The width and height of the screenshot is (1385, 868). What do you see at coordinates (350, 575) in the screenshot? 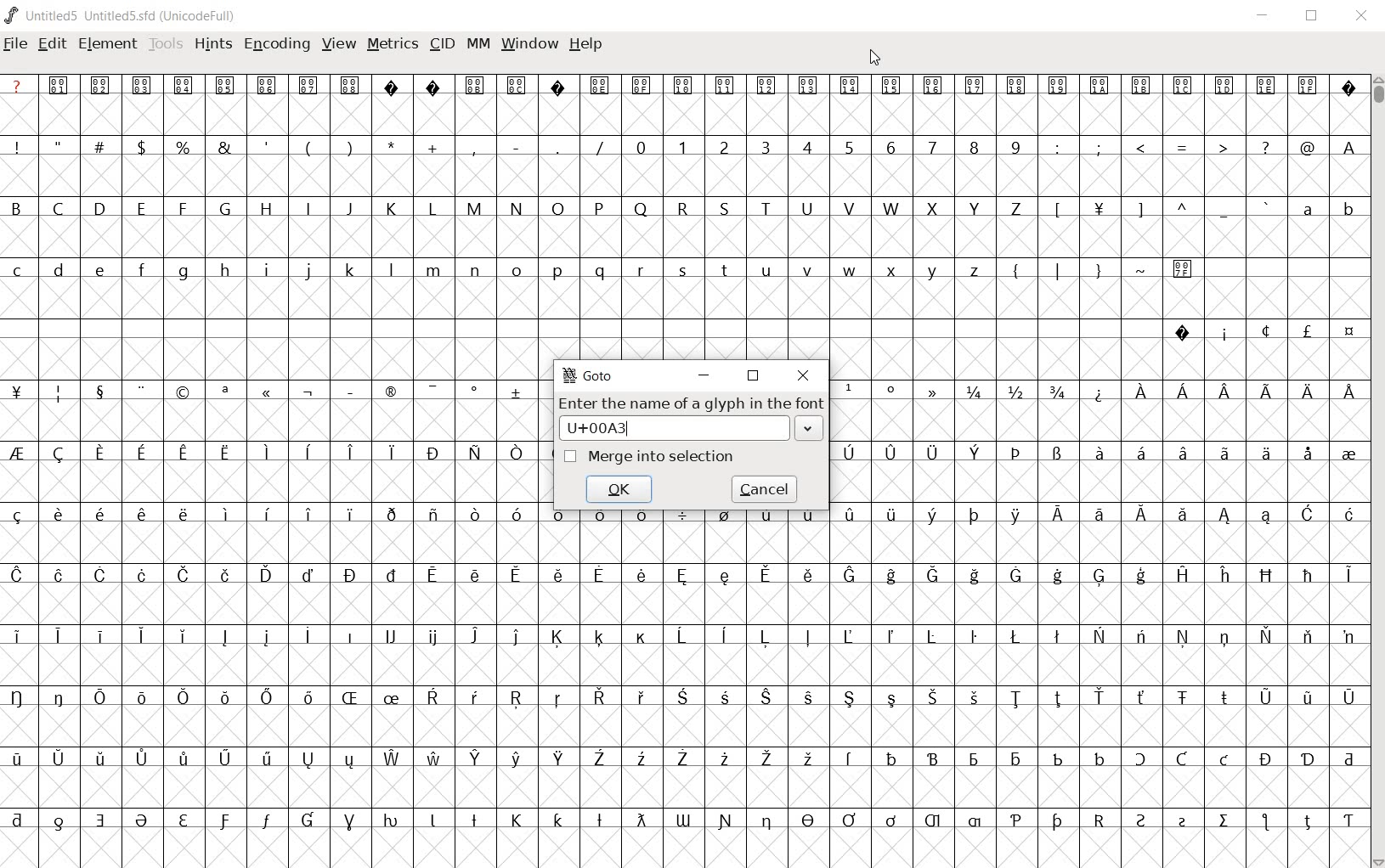
I see `Symbol` at bounding box center [350, 575].